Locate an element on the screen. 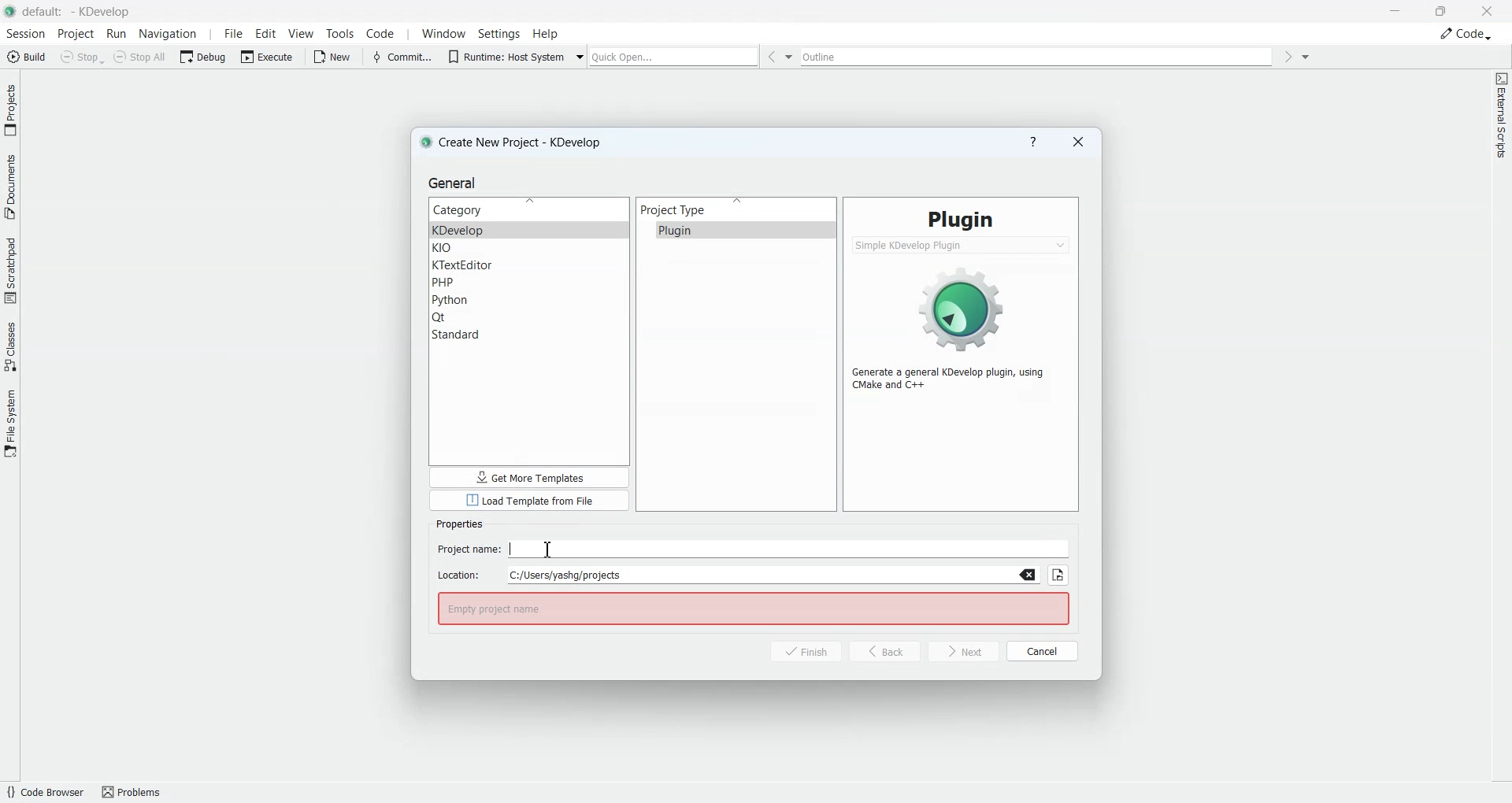 The width and height of the screenshot is (1512, 803). PHP is located at coordinates (529, 283).